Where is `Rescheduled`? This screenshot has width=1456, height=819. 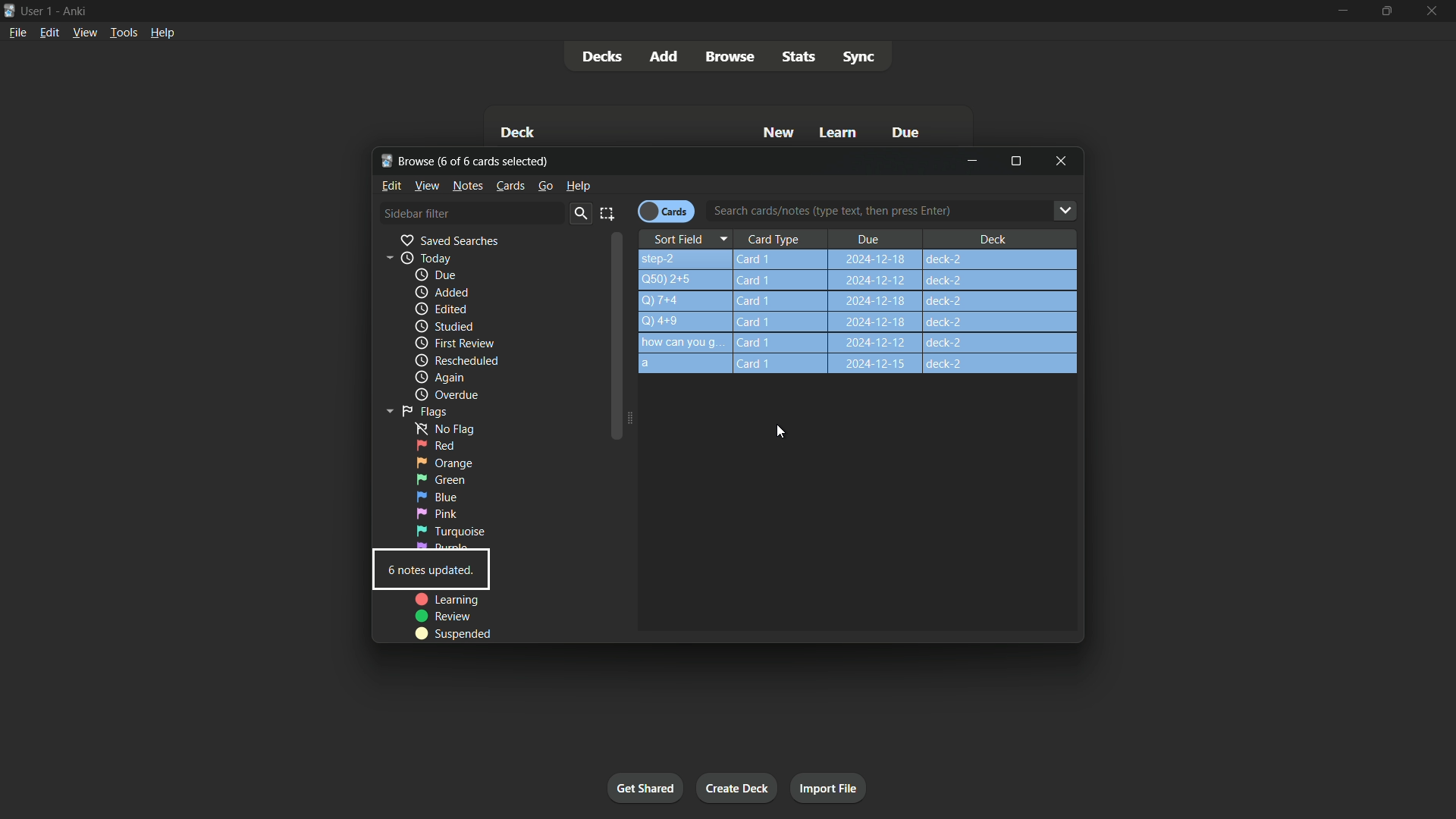 Rescheduled is located at coordinates (456, 361).